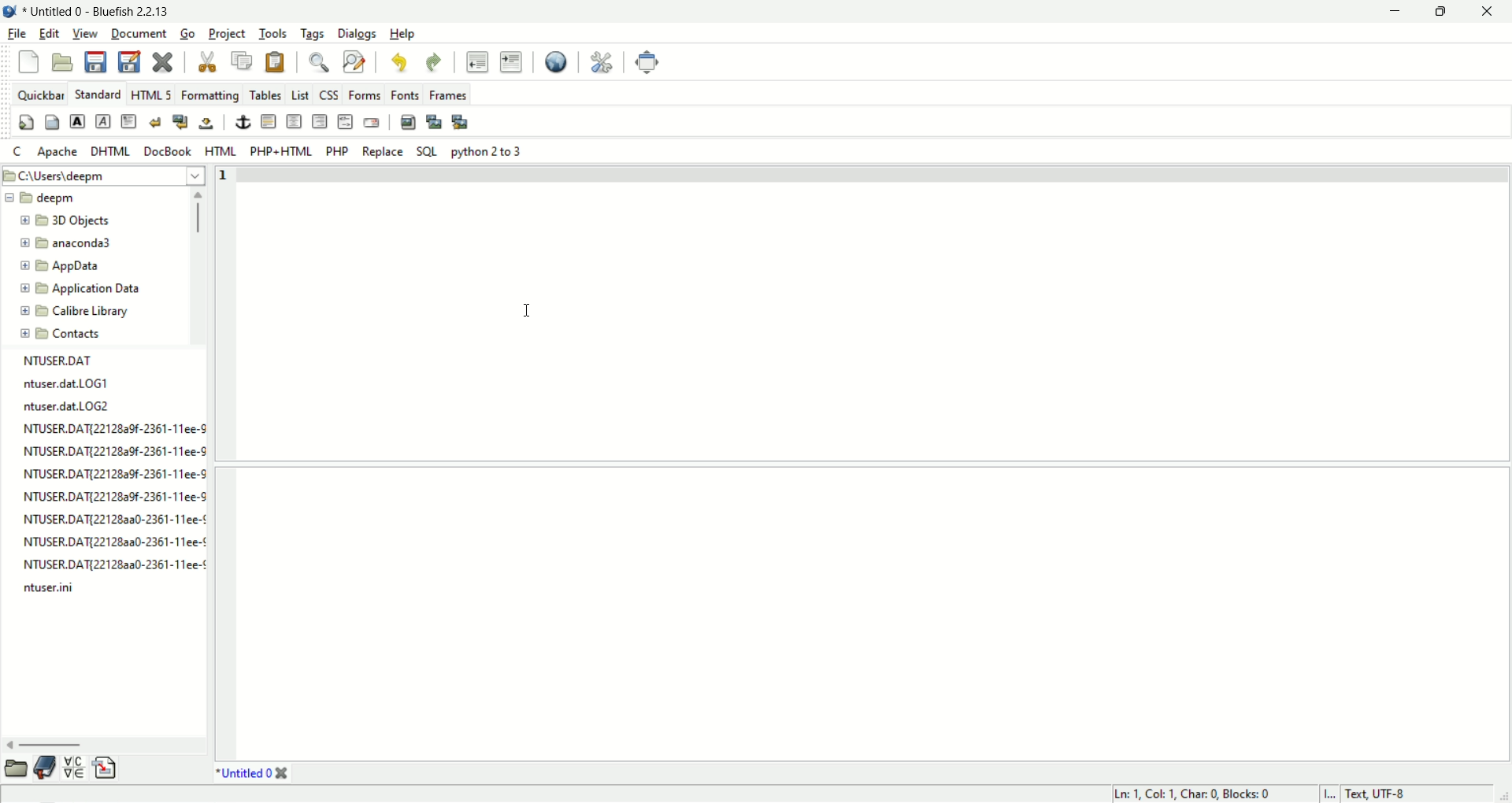 The image size is (1512, 803). What do you see at coordinates (85, 287) in the screenshot?
I see `folder name` at bounding box center [85, 287].